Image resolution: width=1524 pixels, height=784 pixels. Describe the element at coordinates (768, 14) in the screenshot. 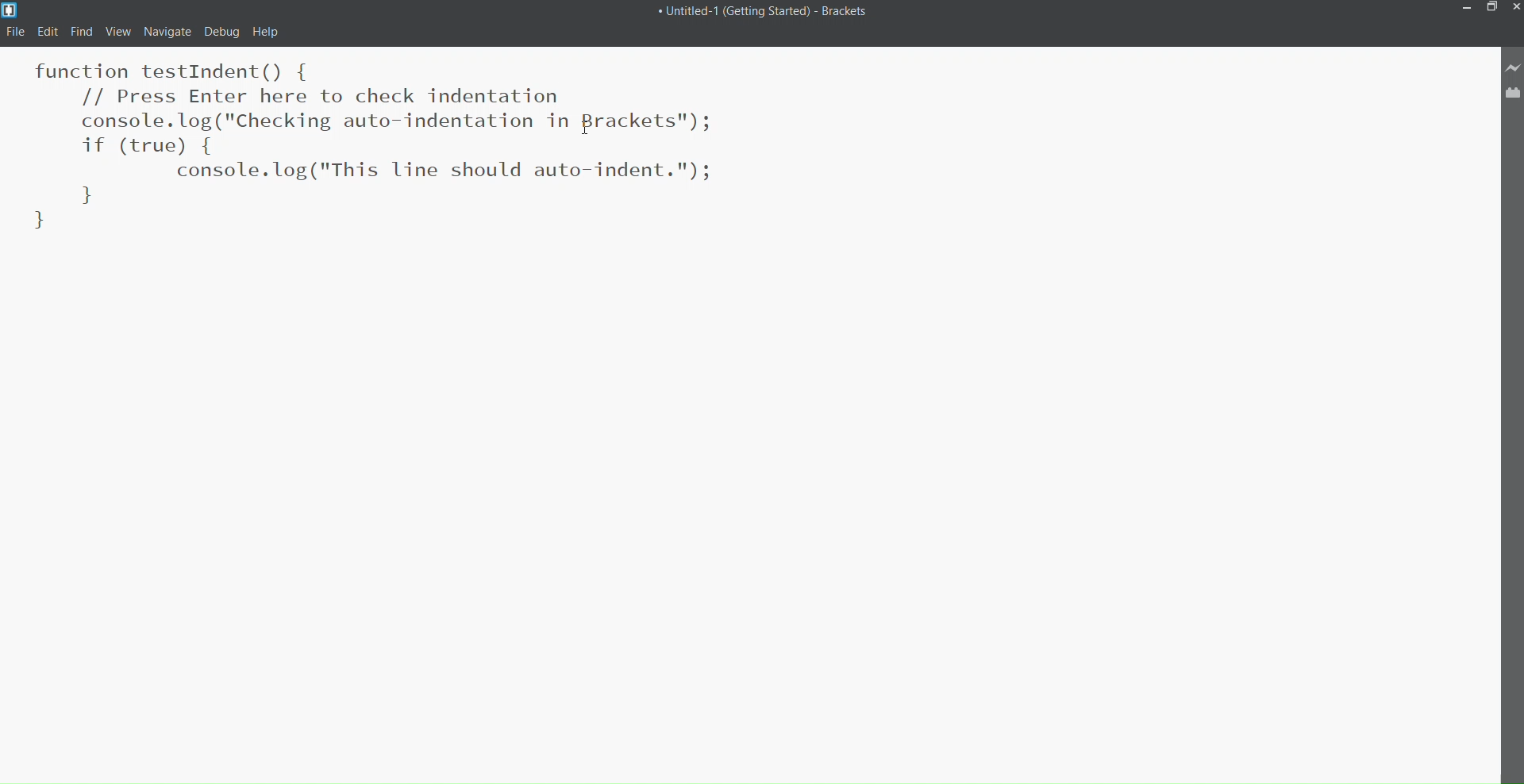

I see `Title` at that location.